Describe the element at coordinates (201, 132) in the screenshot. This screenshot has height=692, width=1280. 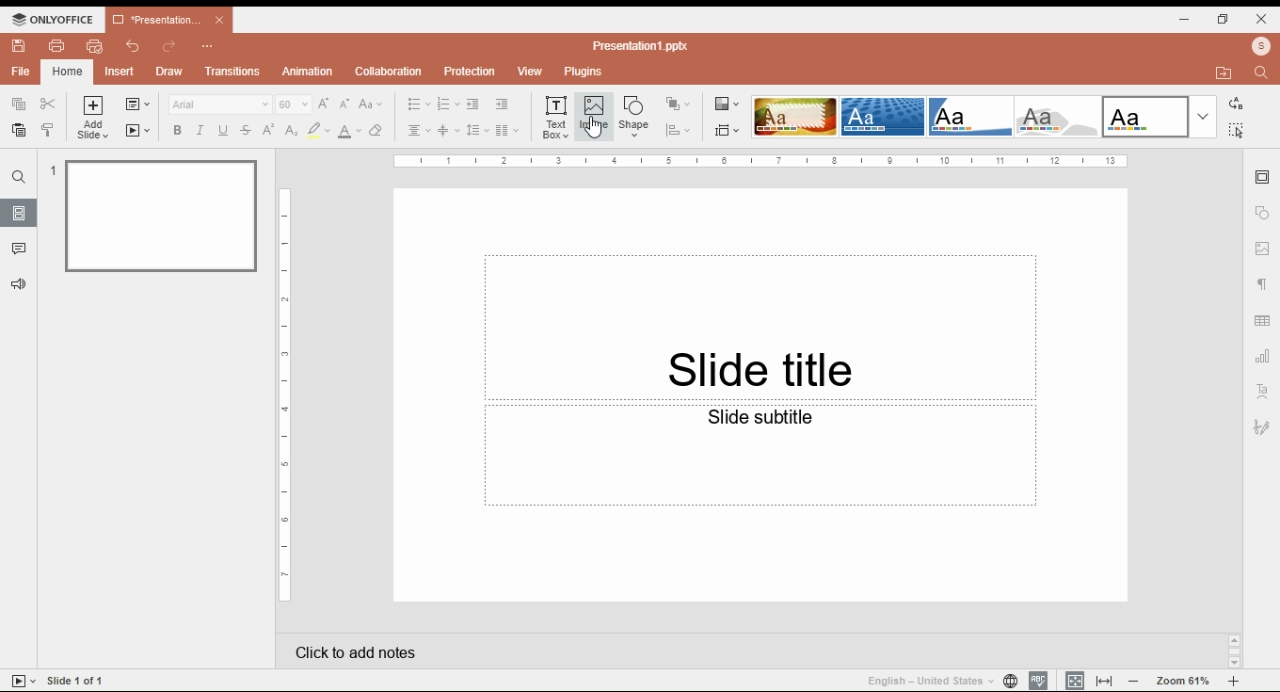
I see `italics` at that location.